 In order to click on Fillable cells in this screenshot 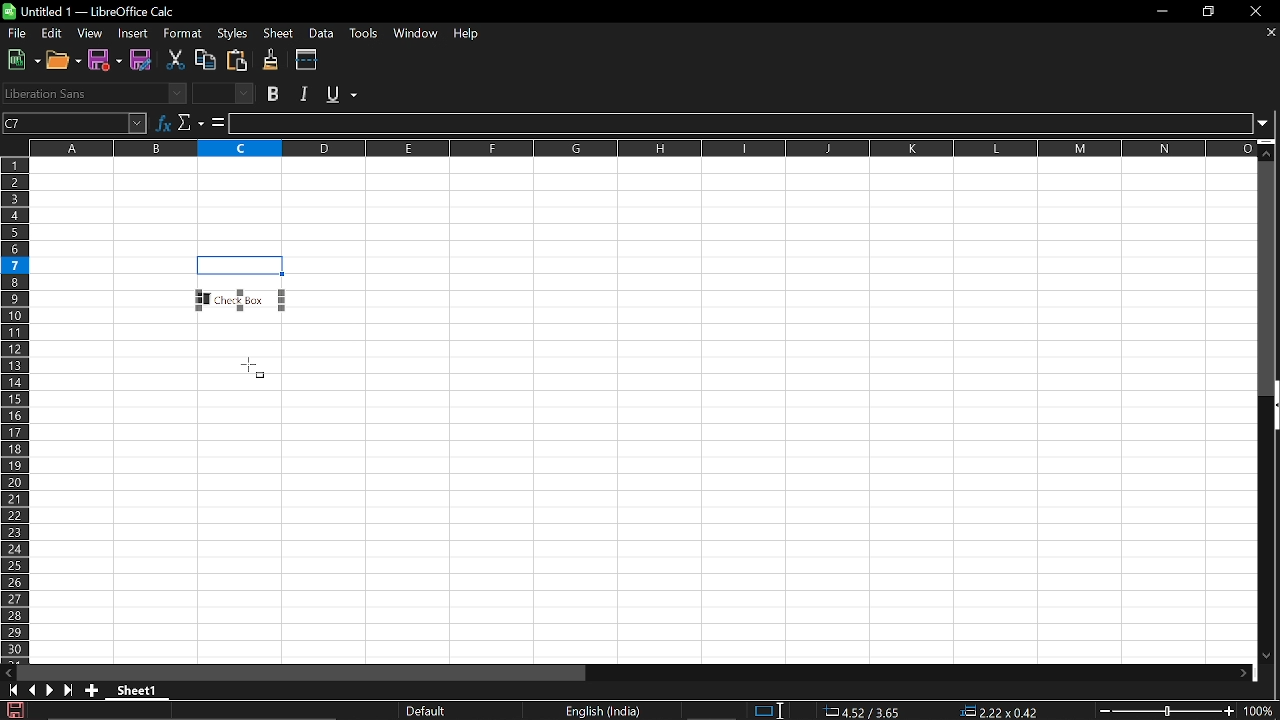, I will do `click(165, 486)`.